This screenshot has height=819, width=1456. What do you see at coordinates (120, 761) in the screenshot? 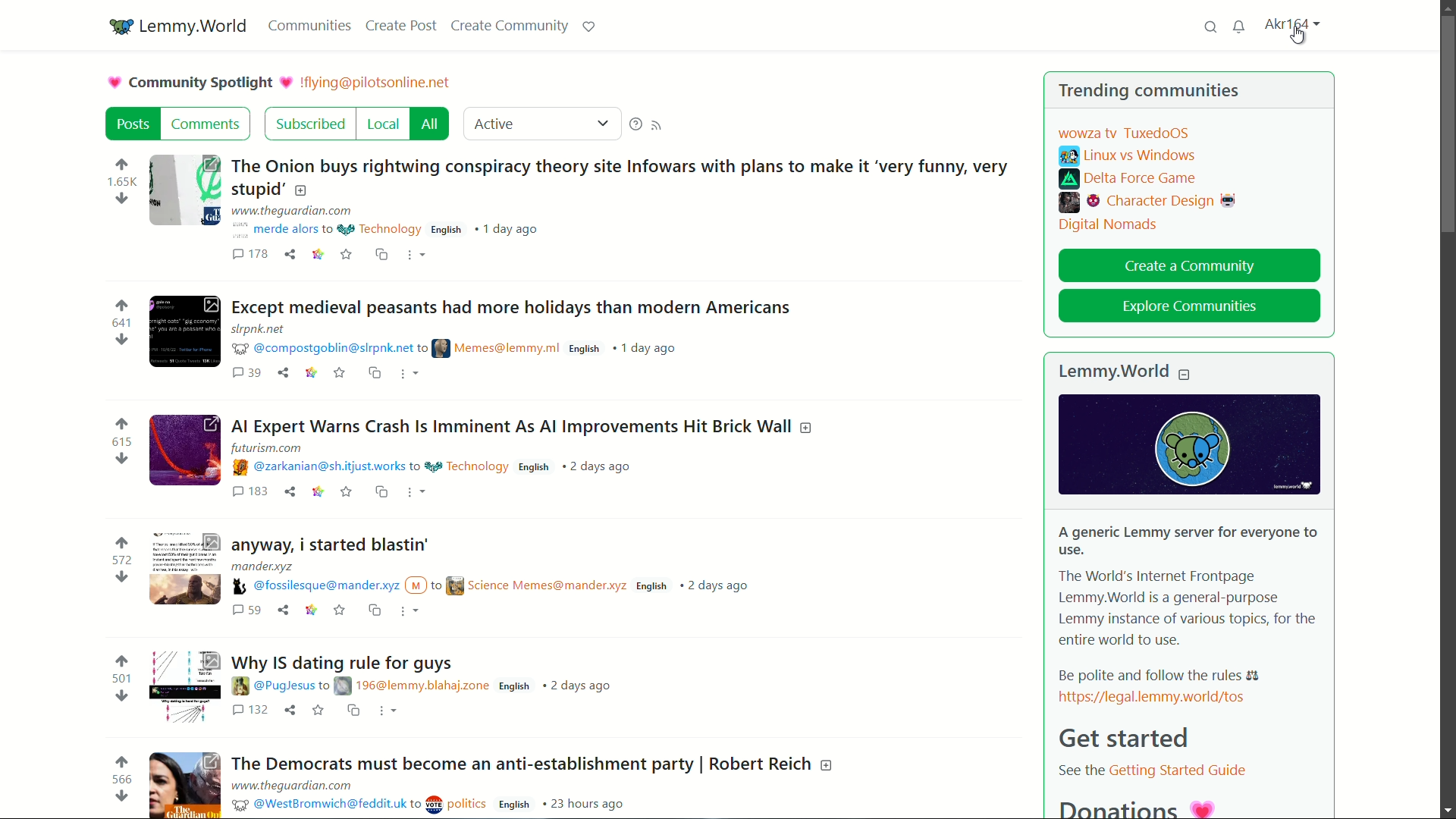
I see `upvote` at bounding box center [120, 761].